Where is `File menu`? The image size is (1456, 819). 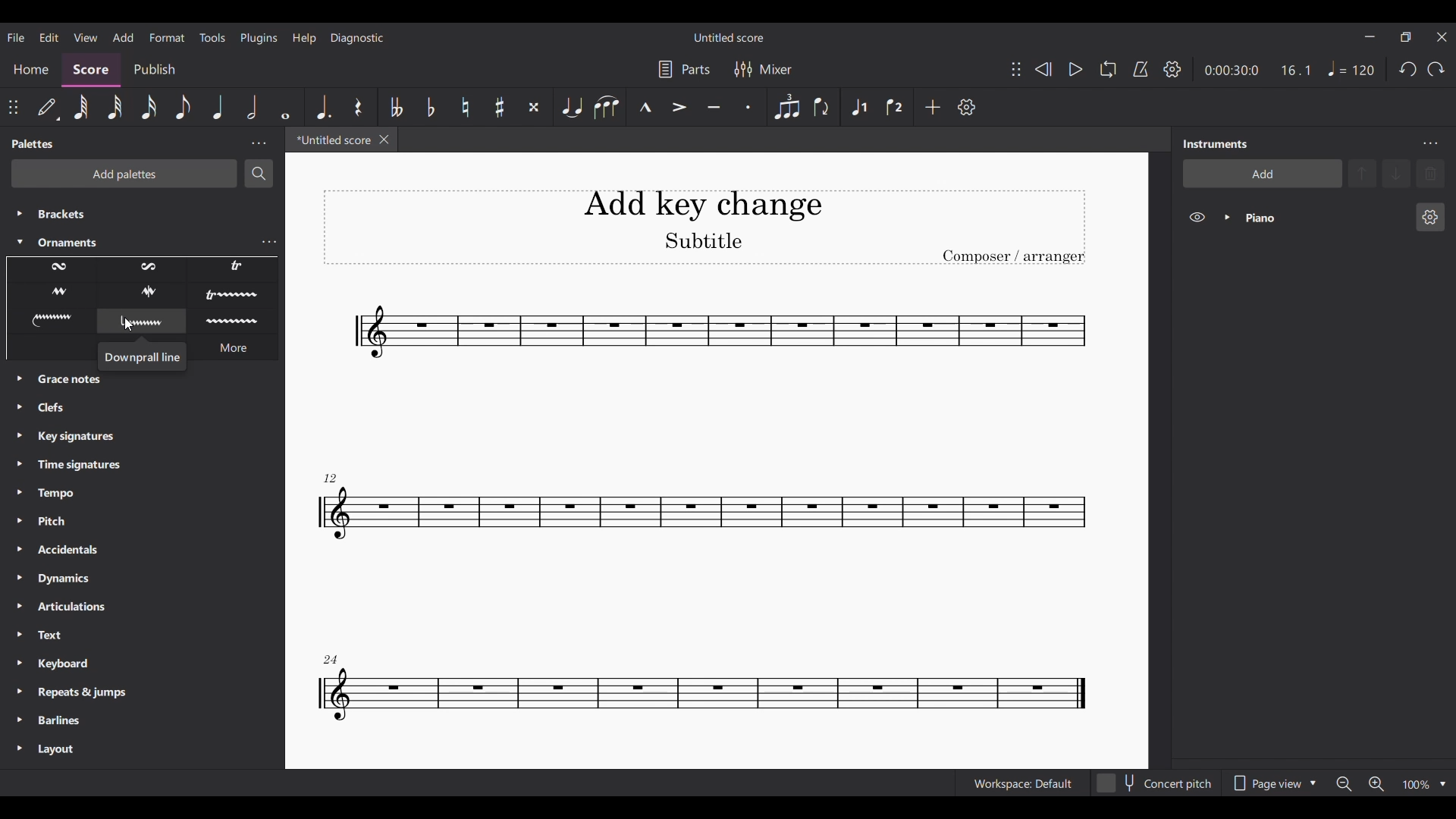 File menu is located at coordinates (16, 36).